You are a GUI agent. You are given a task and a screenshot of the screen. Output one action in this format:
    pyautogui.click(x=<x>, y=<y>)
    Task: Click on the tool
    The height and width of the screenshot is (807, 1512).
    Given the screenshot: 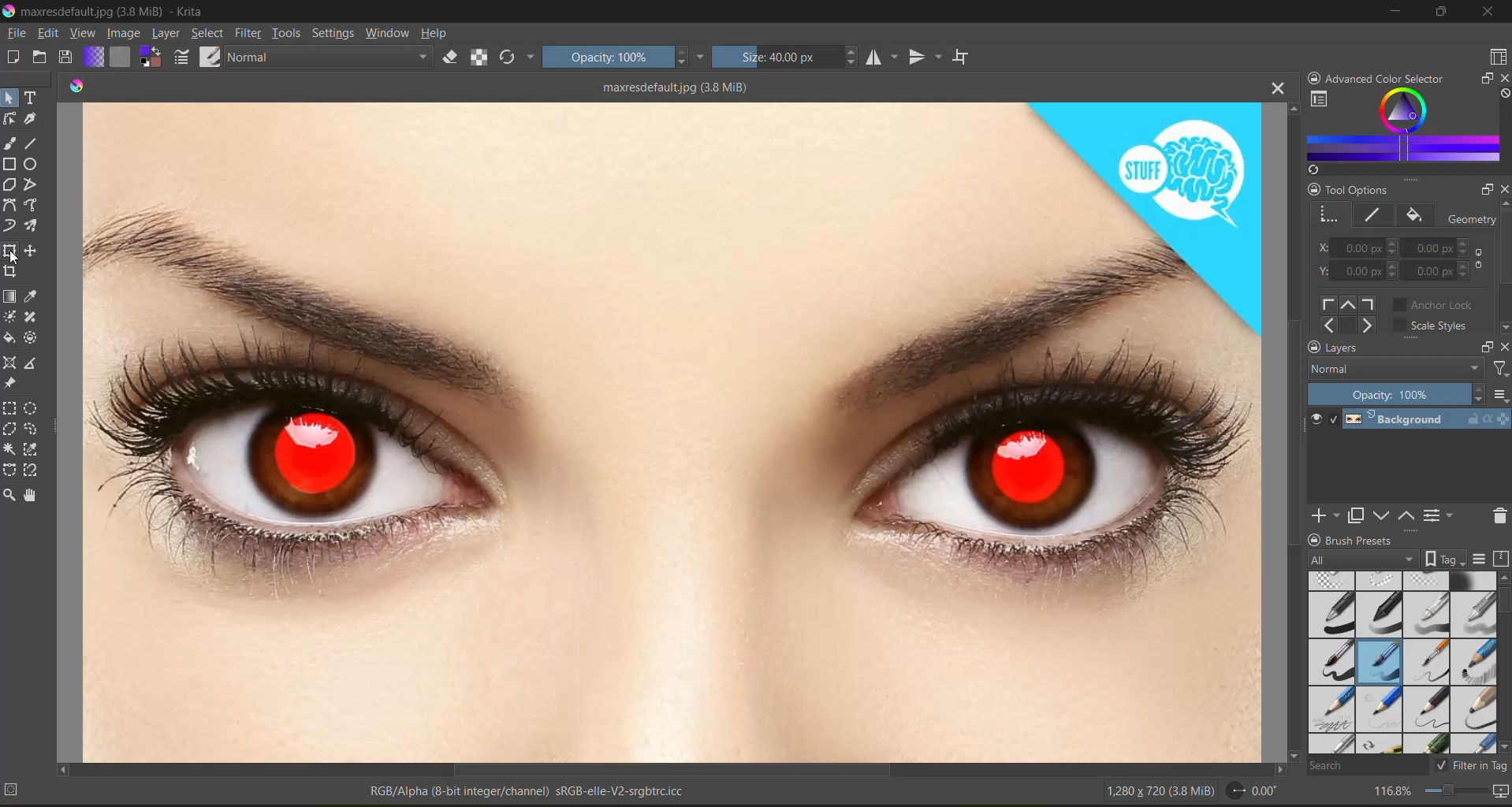 What is the action you would take?
    pyautogui.click(x=9, y=383)
    